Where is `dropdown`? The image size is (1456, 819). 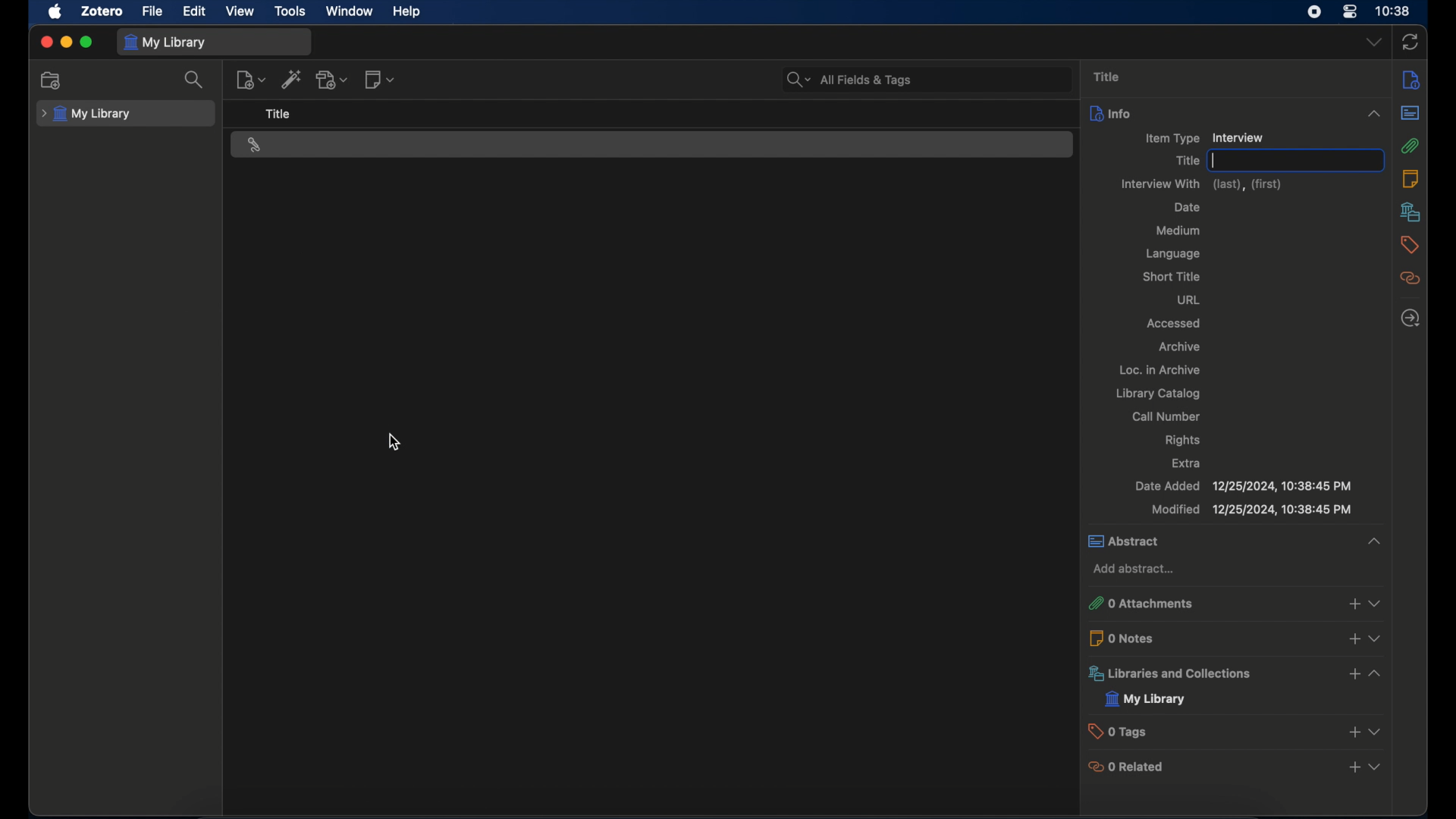 dropdown is located at coordinates (1375, 42).